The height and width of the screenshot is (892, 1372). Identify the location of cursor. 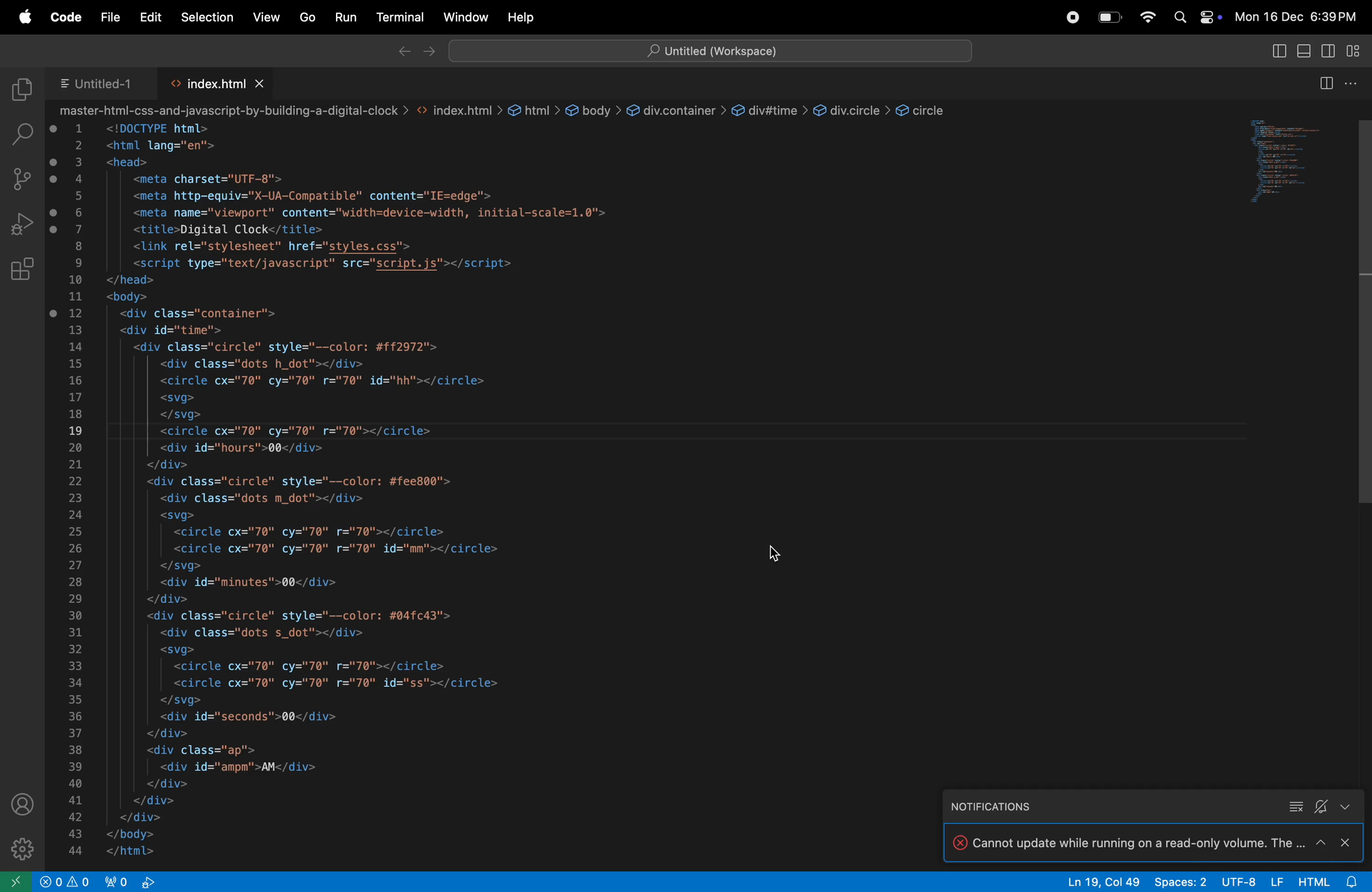
(781, 553).